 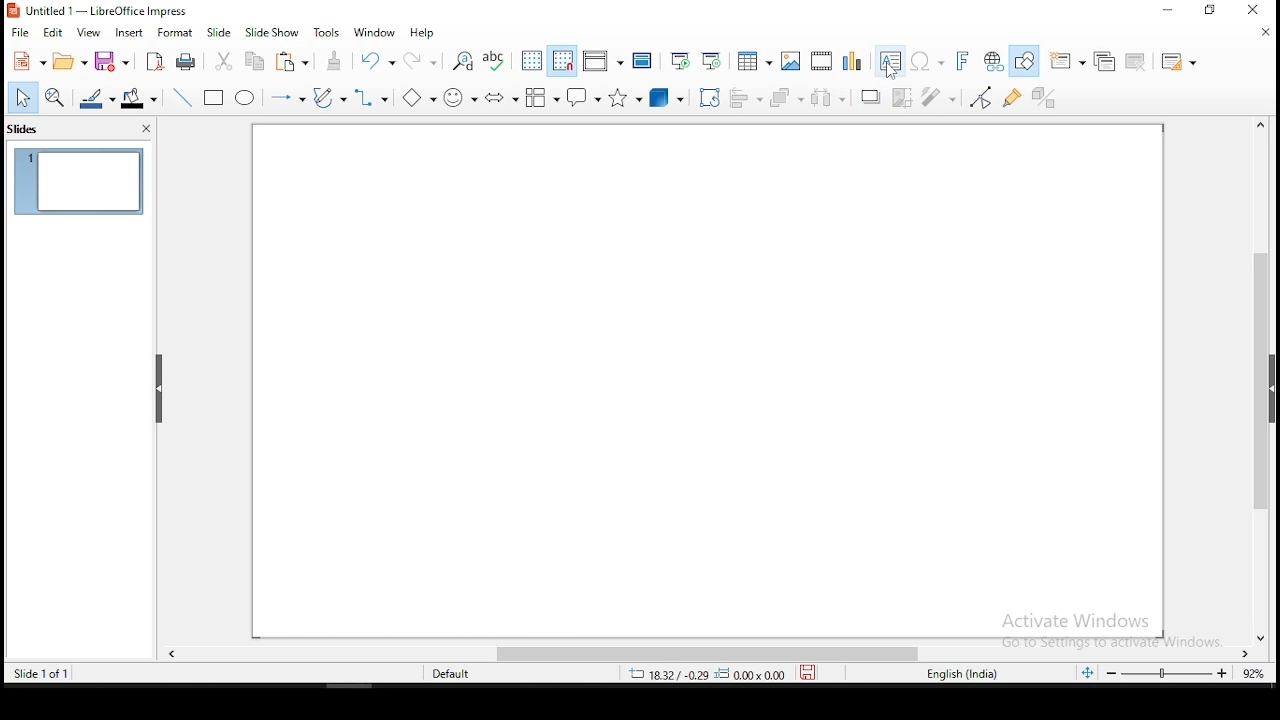 What do you see at coordinates (940, 97) in the screenshot?
I see `filter` at bounding box center [940, 97].